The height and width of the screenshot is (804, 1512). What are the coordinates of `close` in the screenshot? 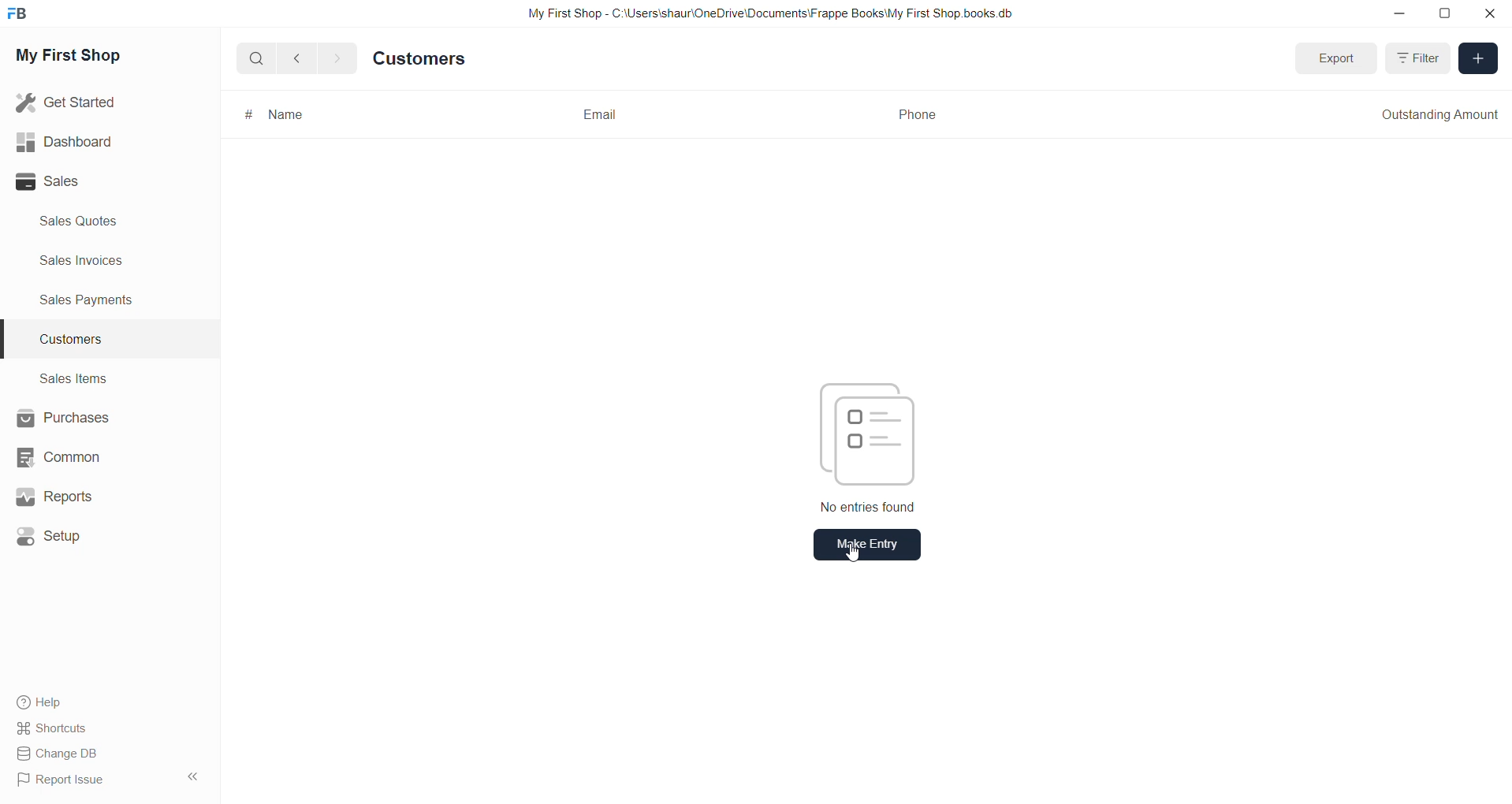 It's located at (1488, 14).